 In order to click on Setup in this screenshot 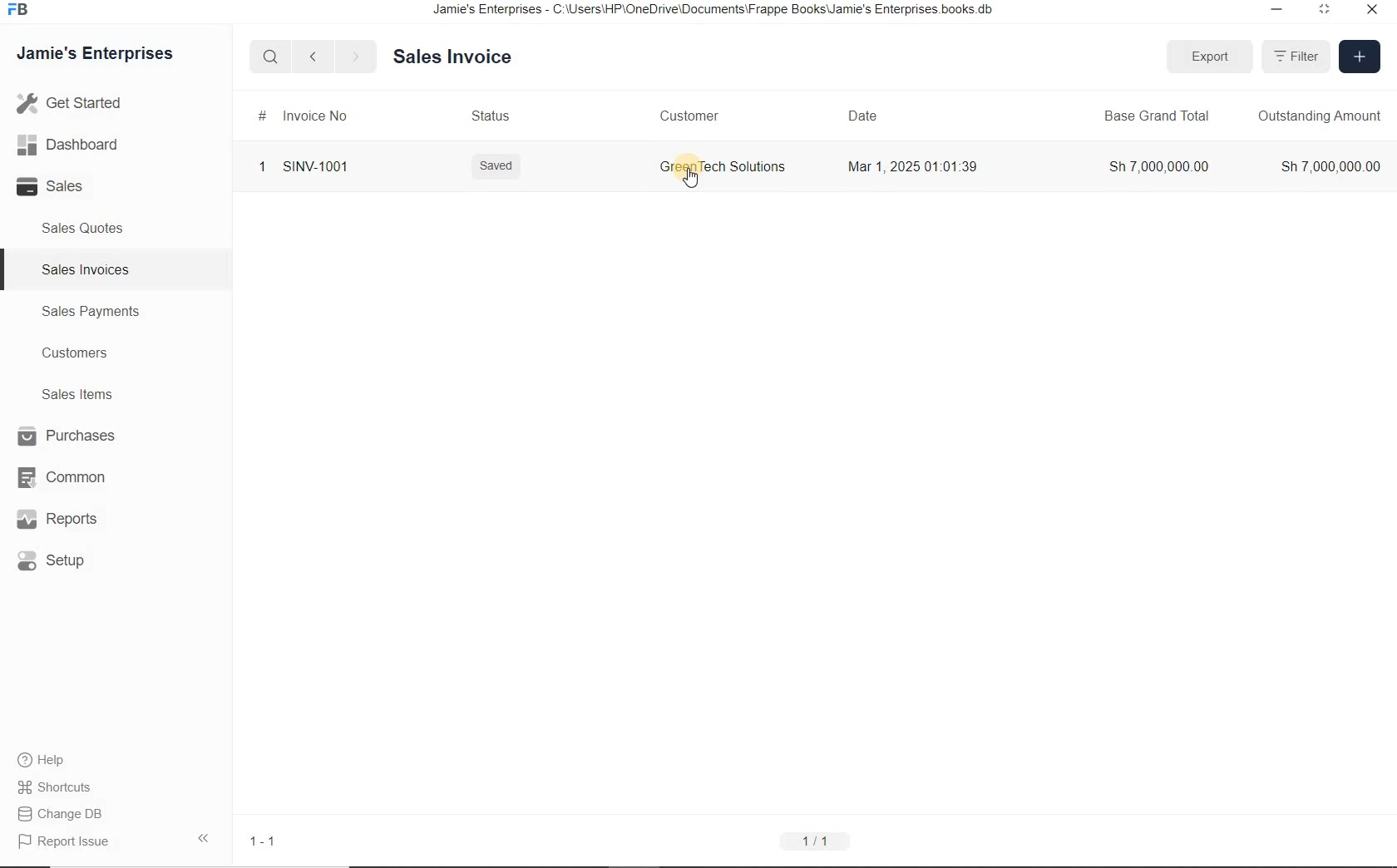, I will do `click(63, 562)`.